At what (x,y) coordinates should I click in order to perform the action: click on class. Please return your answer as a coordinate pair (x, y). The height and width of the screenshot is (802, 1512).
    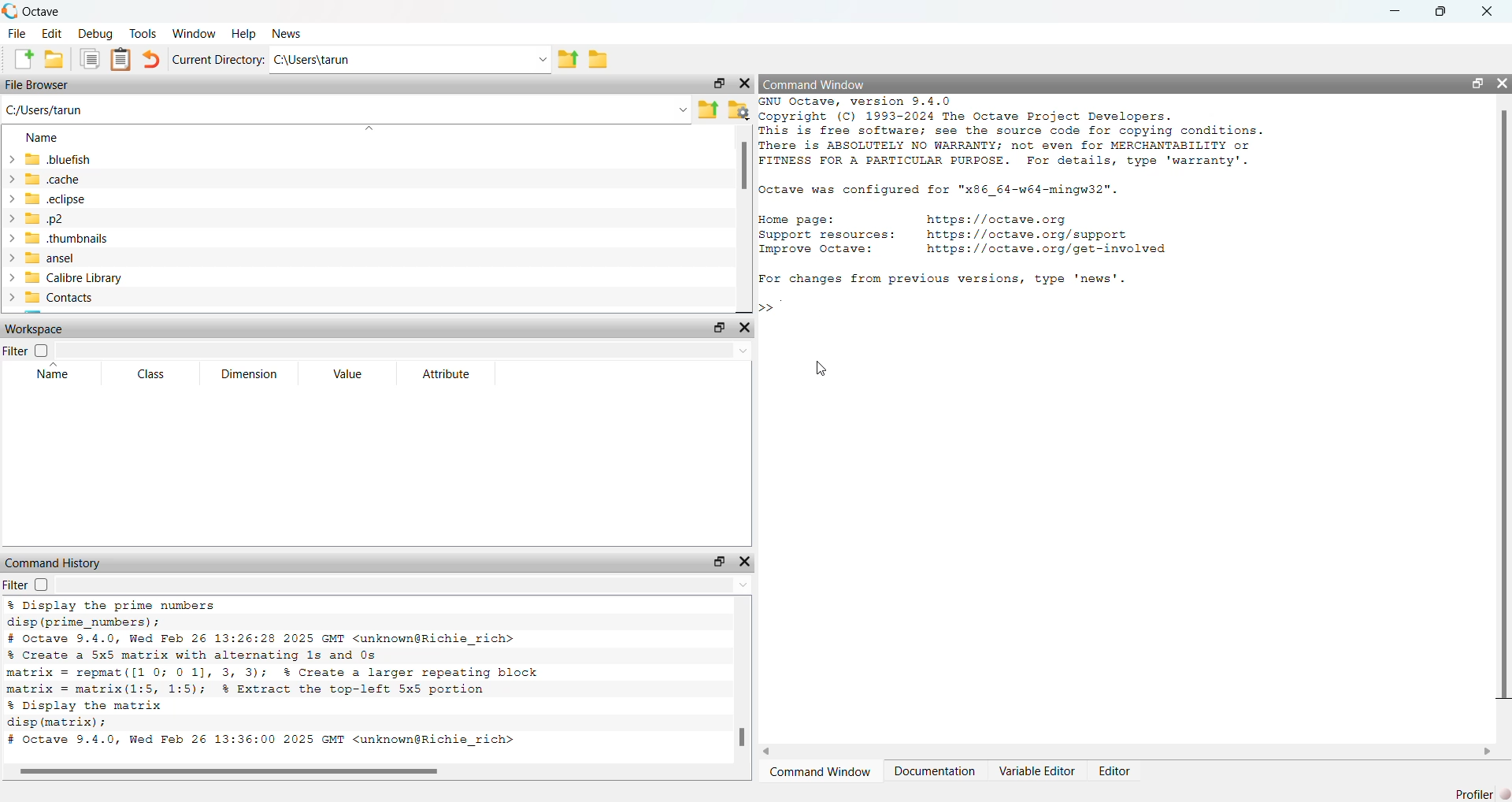
    Looking at the image, I should click on (146, 374).